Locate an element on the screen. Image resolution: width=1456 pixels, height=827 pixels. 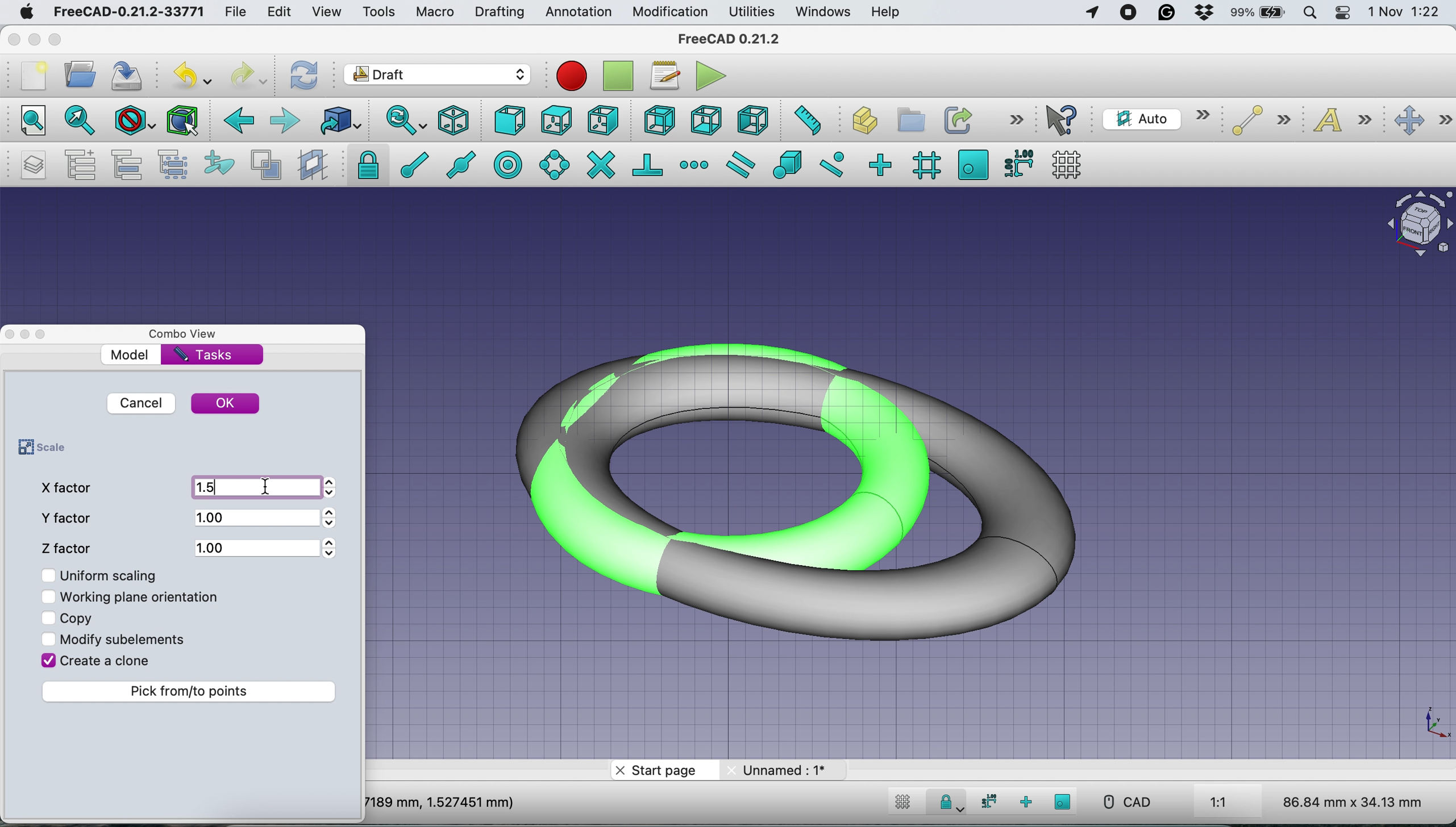
move is located at coordinates (1422, 121).